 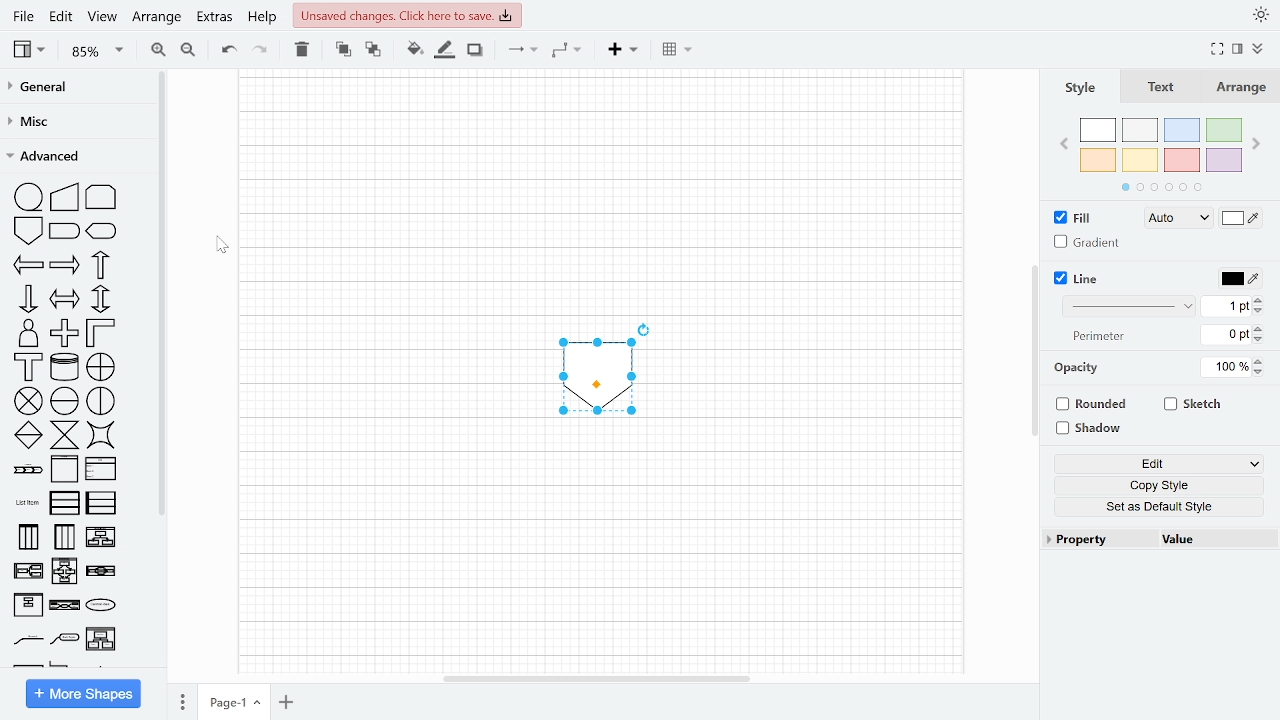 I want to click on ellipse with vertical connector, so click(x=102, y=401).